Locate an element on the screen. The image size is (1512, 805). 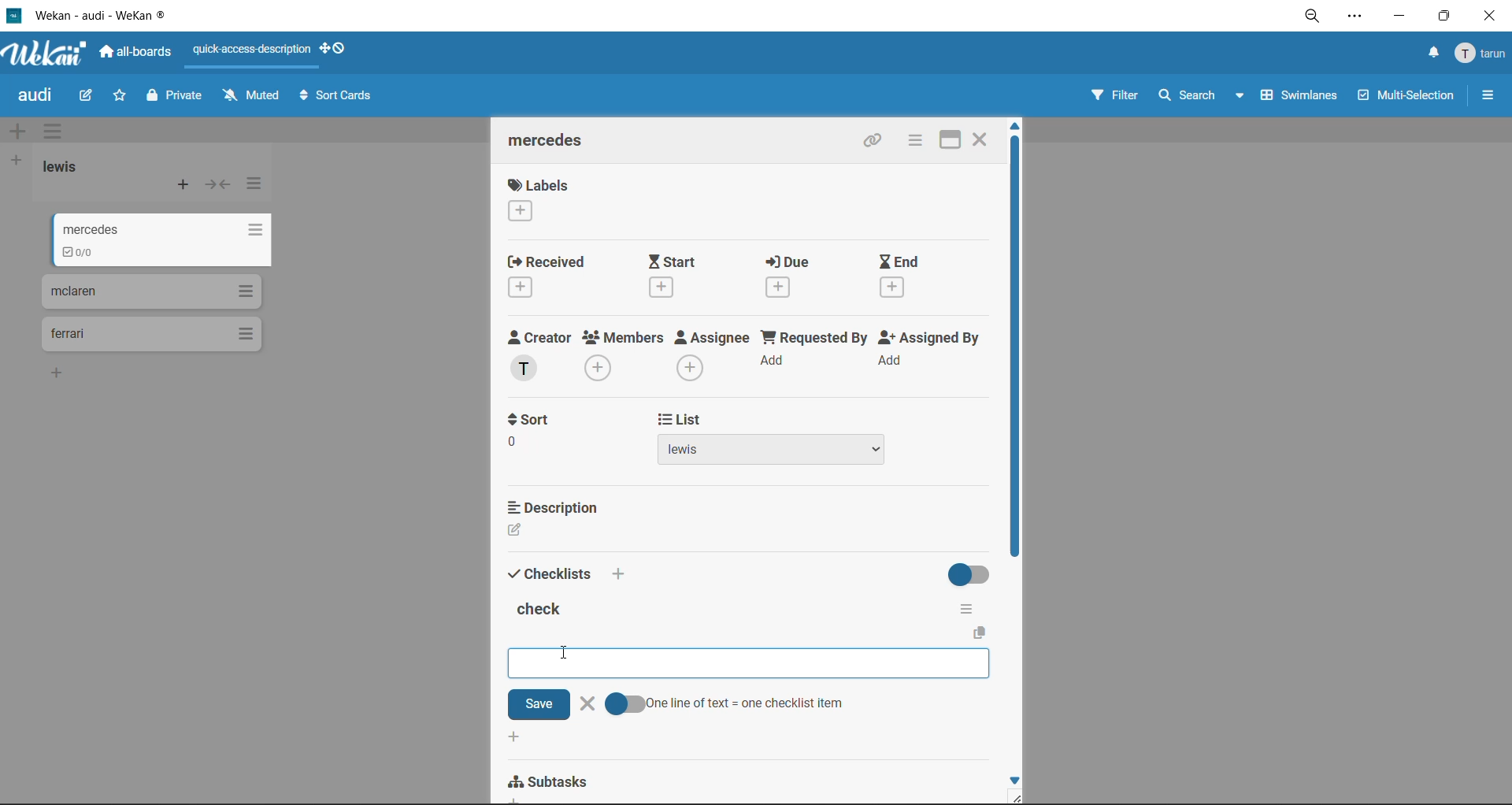
maximize is located at coordinates (1440, 20).